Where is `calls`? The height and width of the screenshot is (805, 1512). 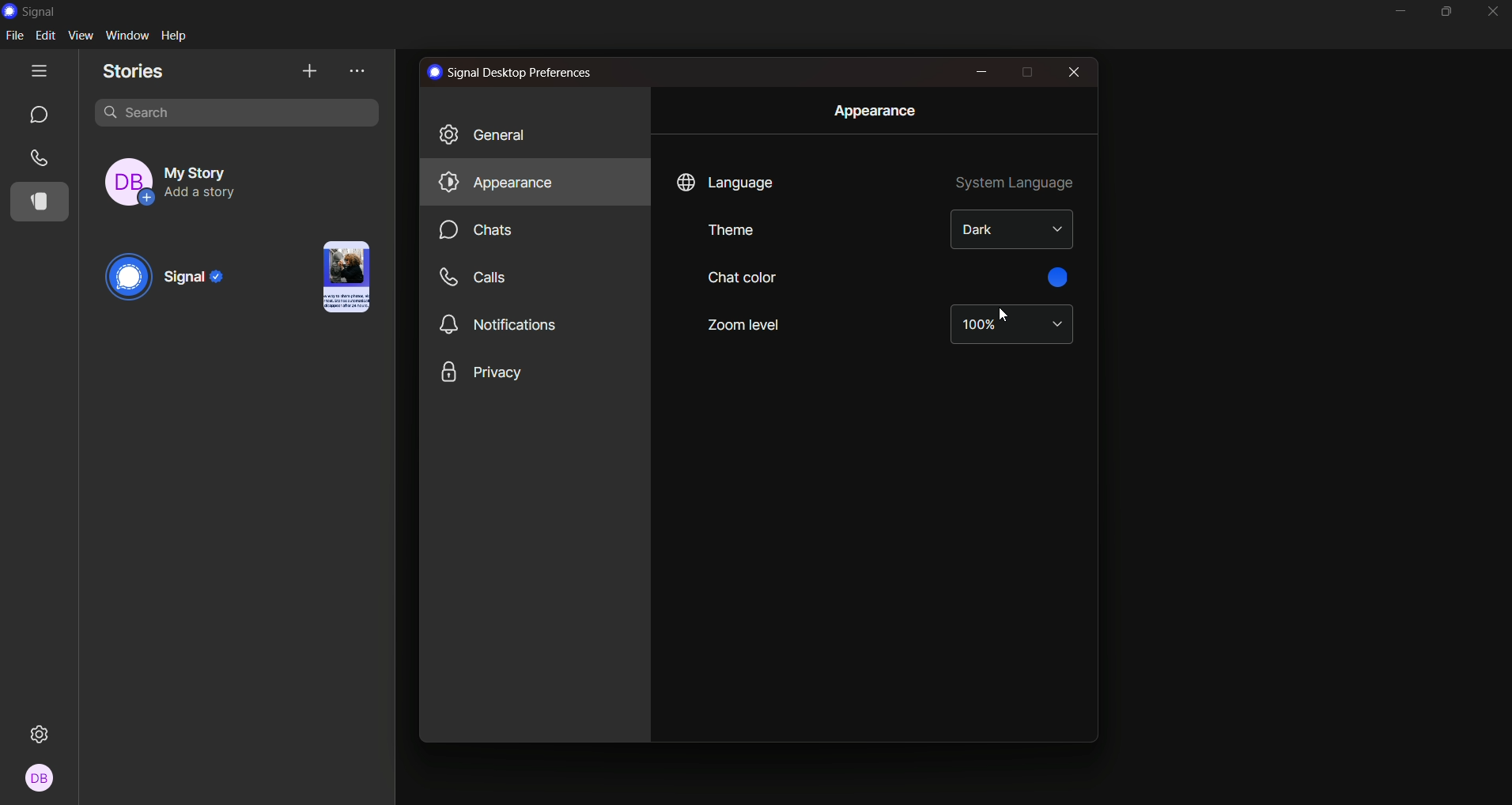 calls is located at coordinates (40, 158).